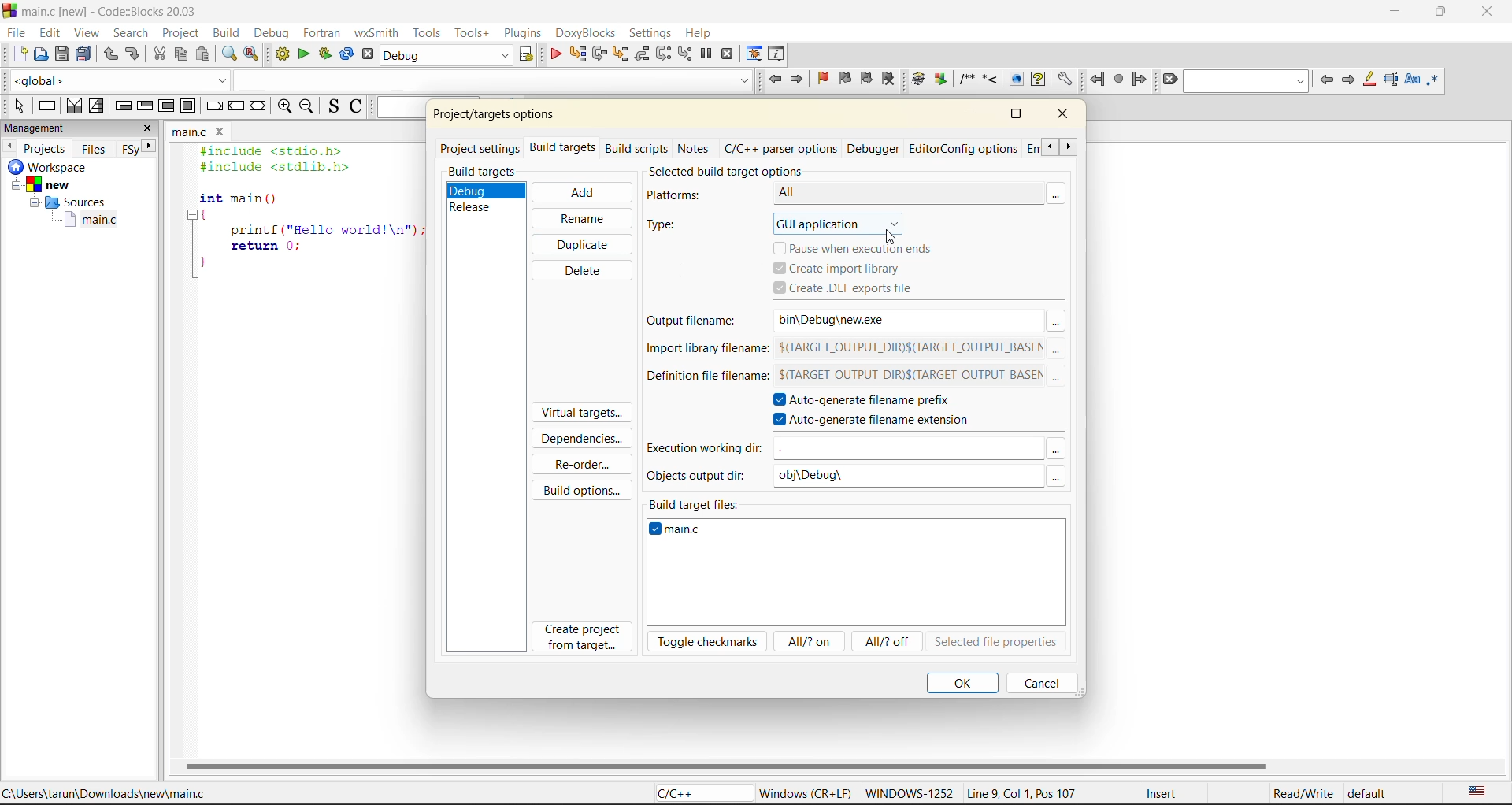 This screenshot has width=1512, height=805. What do you see at coordinates (888, 78) in the screenshot?
I see `clear bookmark` at bounding box center [888, 78].